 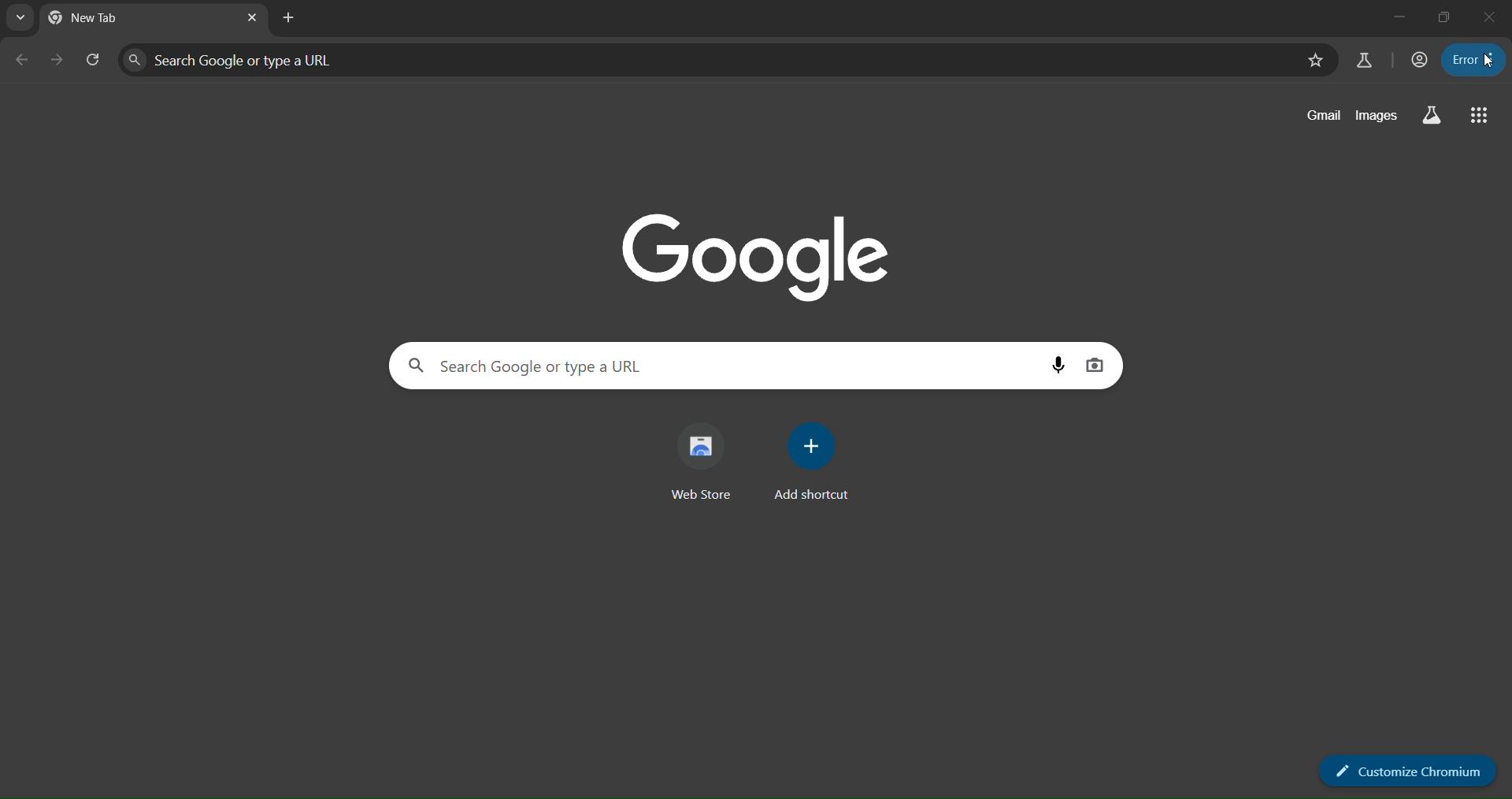 What do you see at coordinates (1393, 15) in the screenshot?
I see `minimize` at bounding box center [1393, 15].